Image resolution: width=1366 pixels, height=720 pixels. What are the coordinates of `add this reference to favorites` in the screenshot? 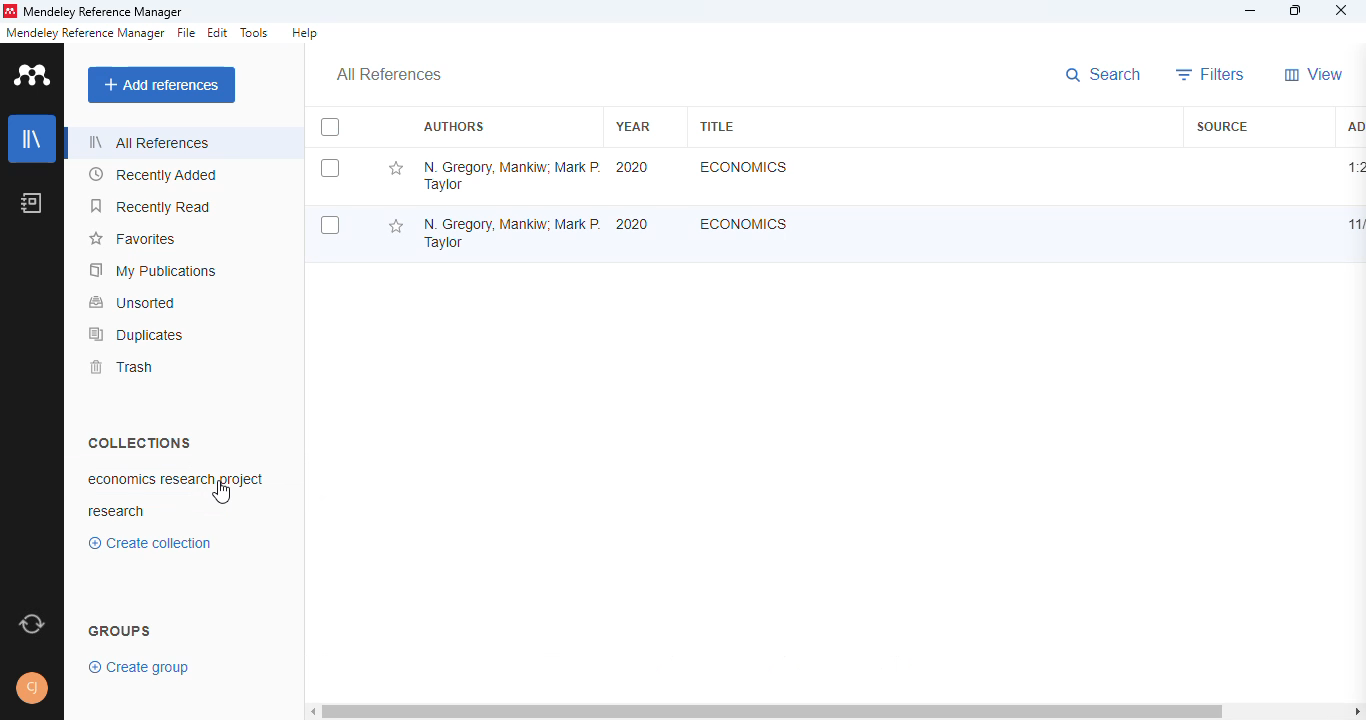 It's located at (395, 169).